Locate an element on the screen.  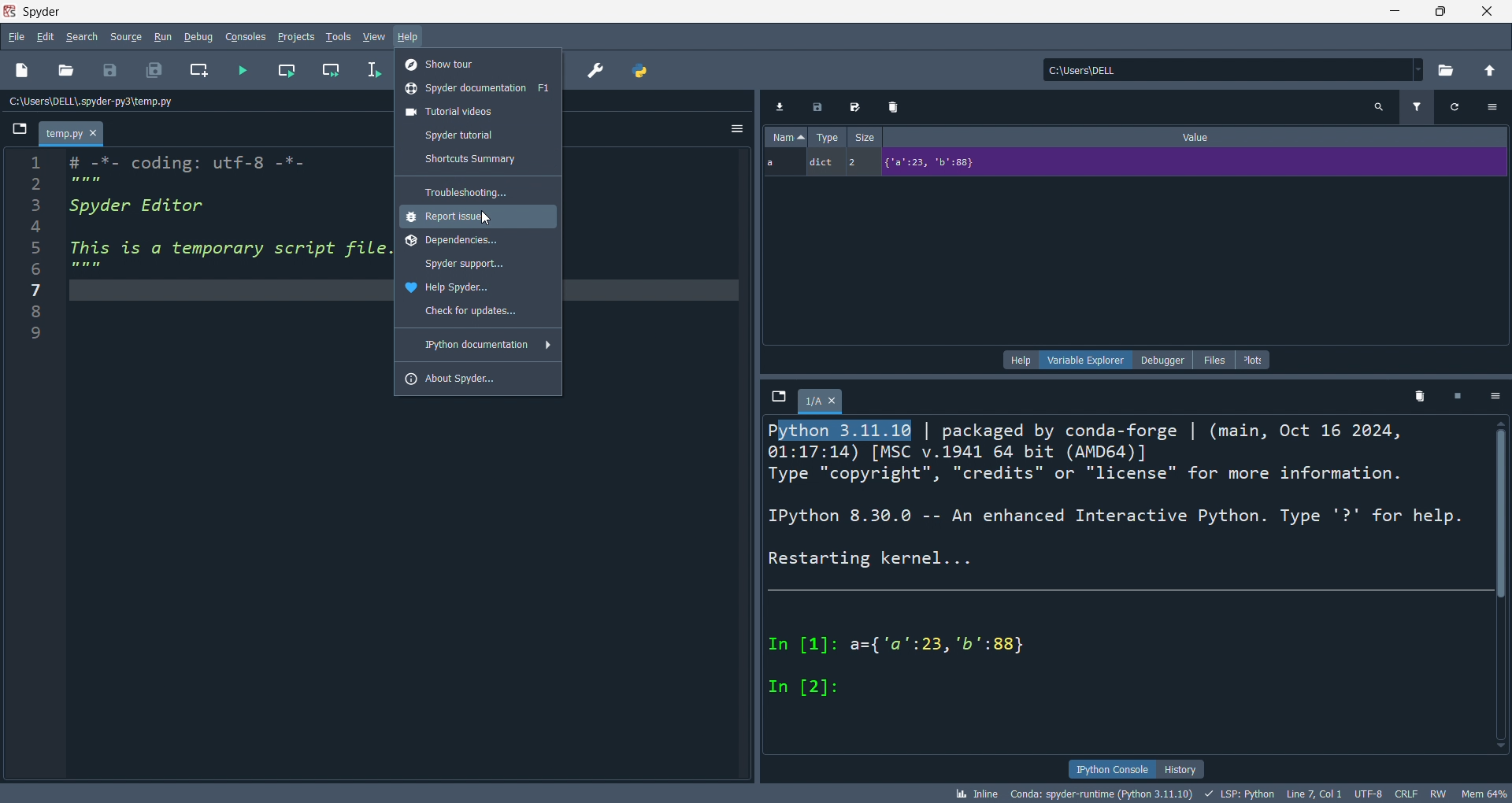
Download is located at coordinates (780, 107).